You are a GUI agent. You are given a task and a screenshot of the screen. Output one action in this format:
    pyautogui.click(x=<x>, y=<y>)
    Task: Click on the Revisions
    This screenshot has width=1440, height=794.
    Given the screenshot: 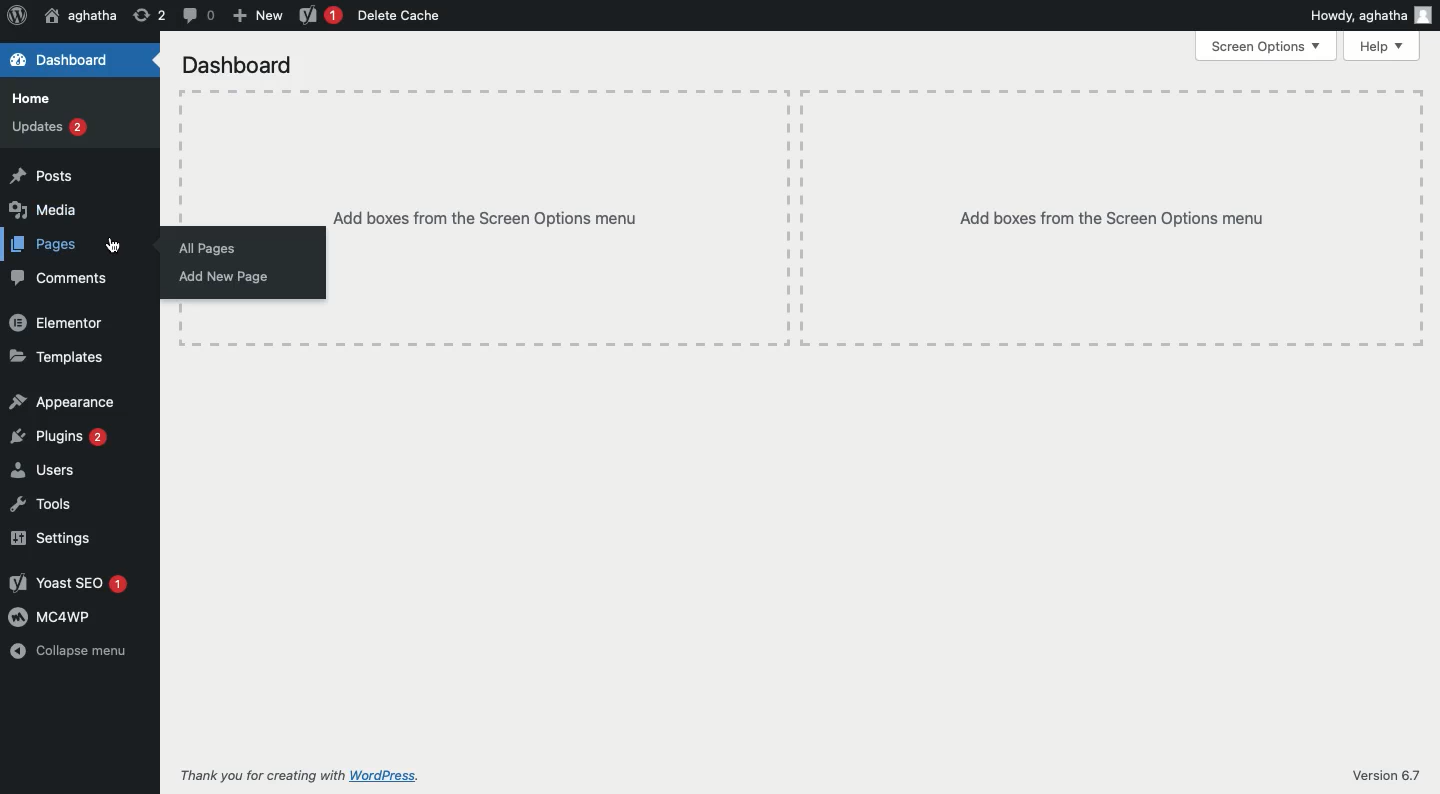 What is the action you would take?
    pyautogui.click(x=149, y=16)
    